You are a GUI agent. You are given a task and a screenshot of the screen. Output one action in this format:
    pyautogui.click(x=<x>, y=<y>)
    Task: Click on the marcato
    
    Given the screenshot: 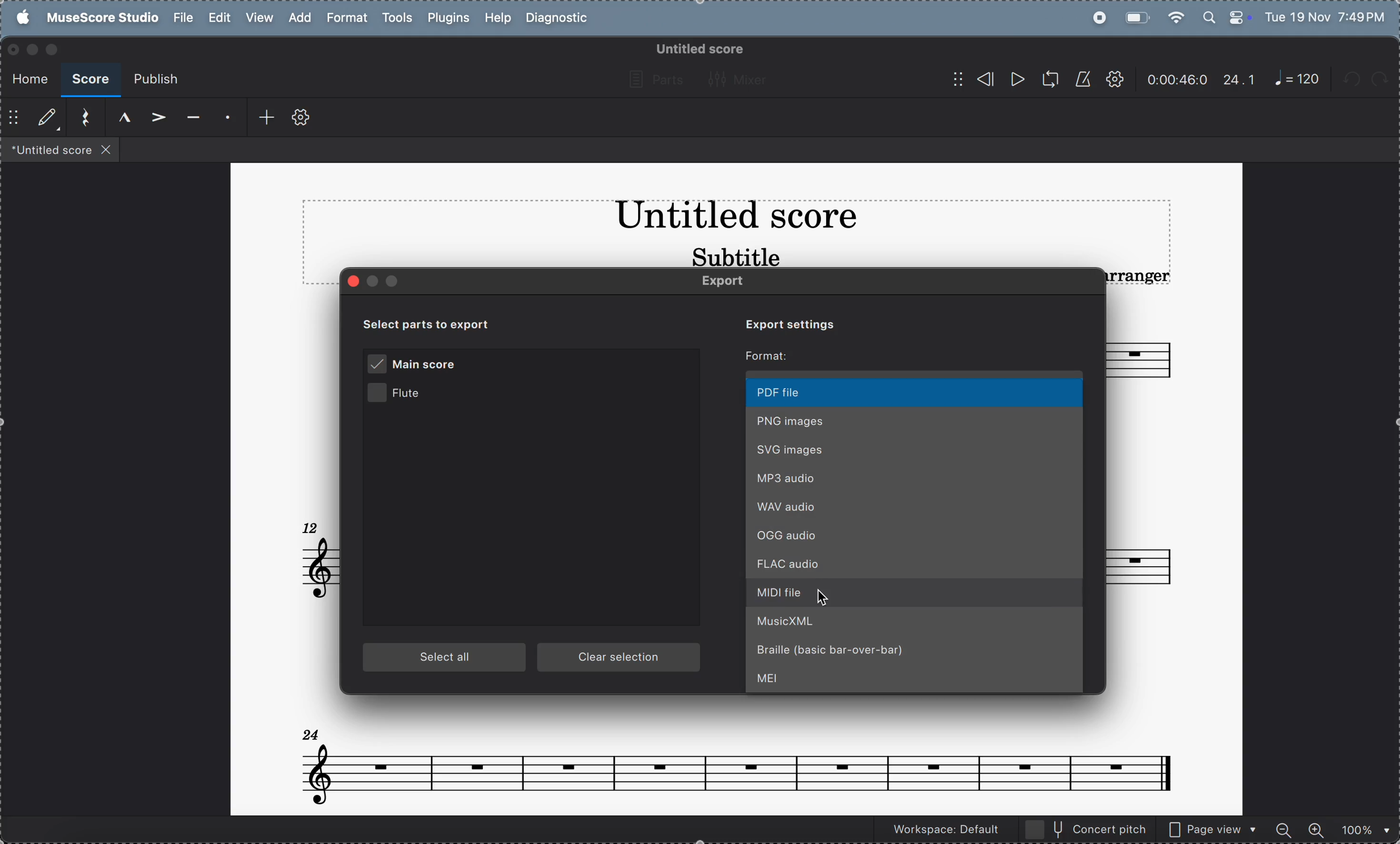 What is the action you would take?
    pyautogui.click(x=119, y=118)
    